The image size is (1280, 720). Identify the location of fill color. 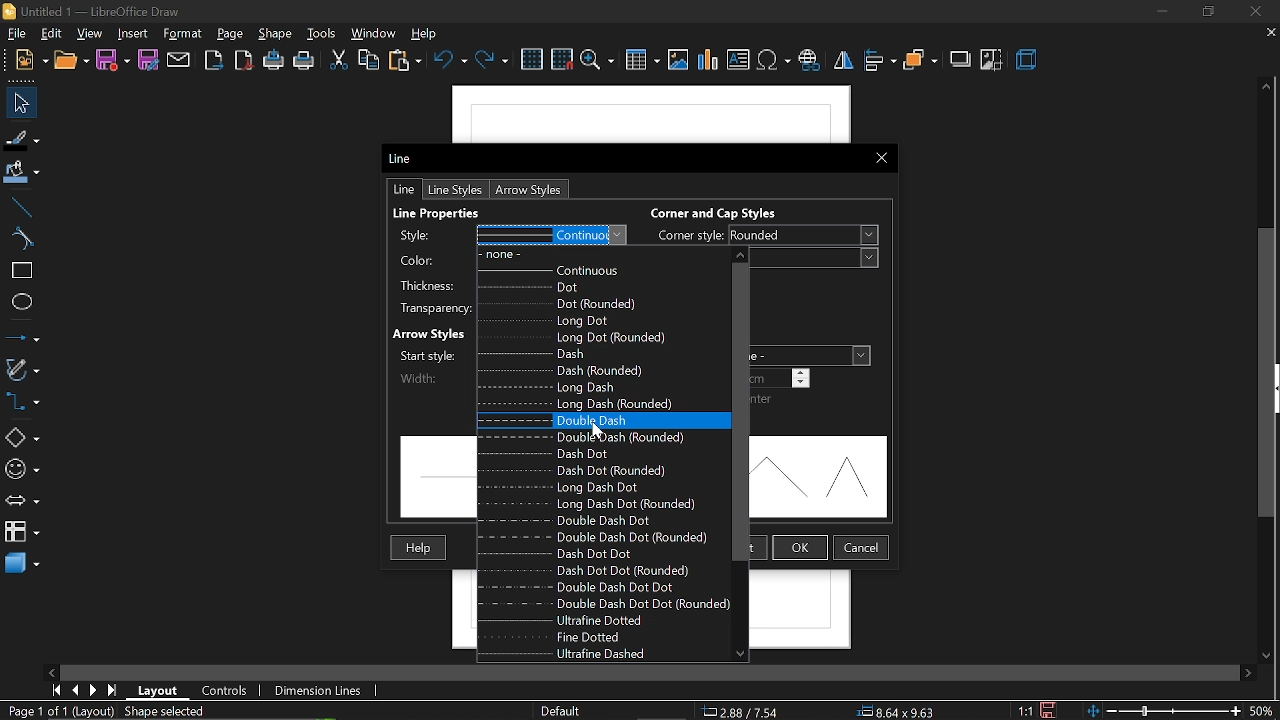
(22, 170).